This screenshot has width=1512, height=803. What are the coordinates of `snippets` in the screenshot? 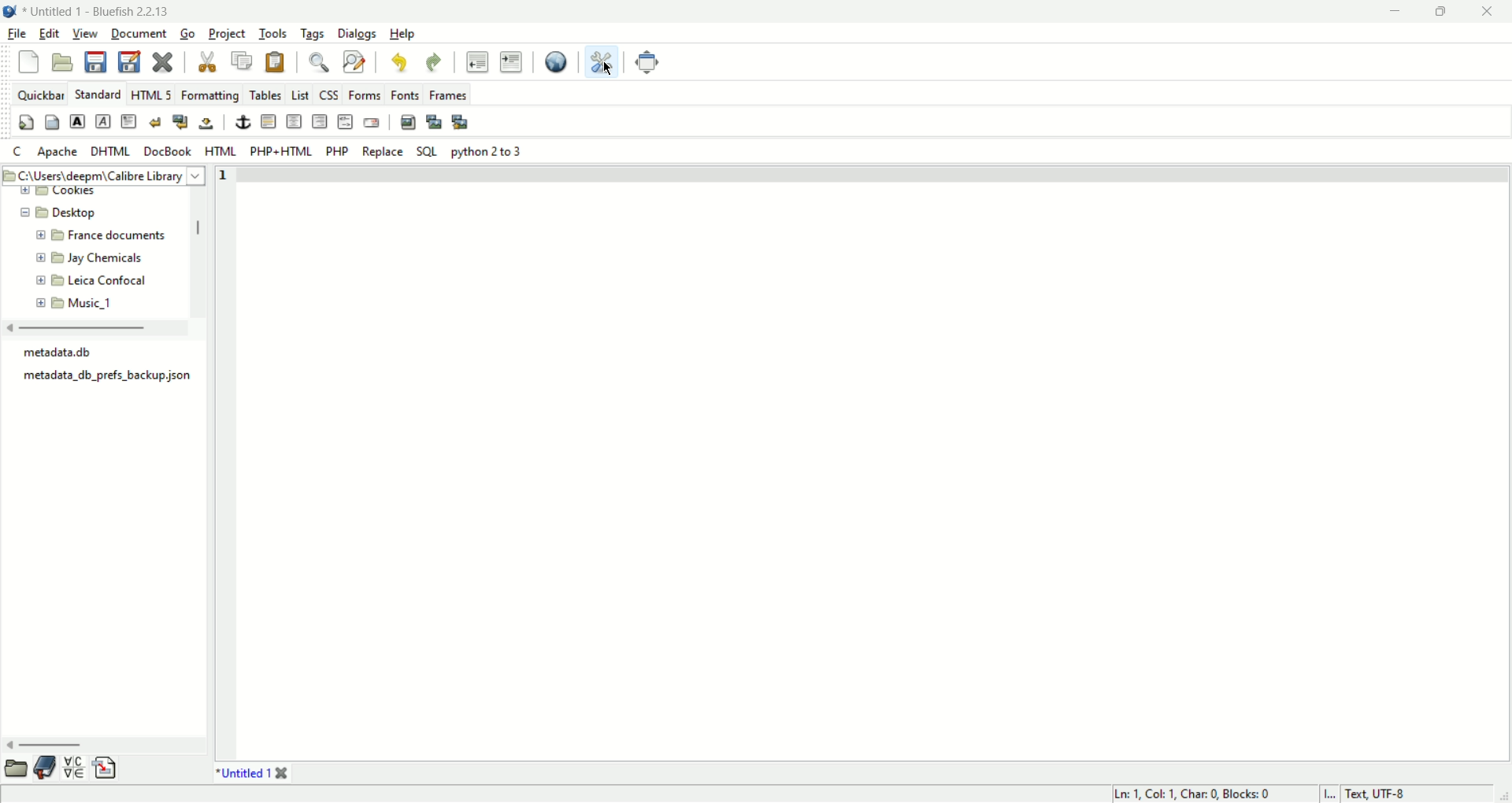 It's located at (109, 768).